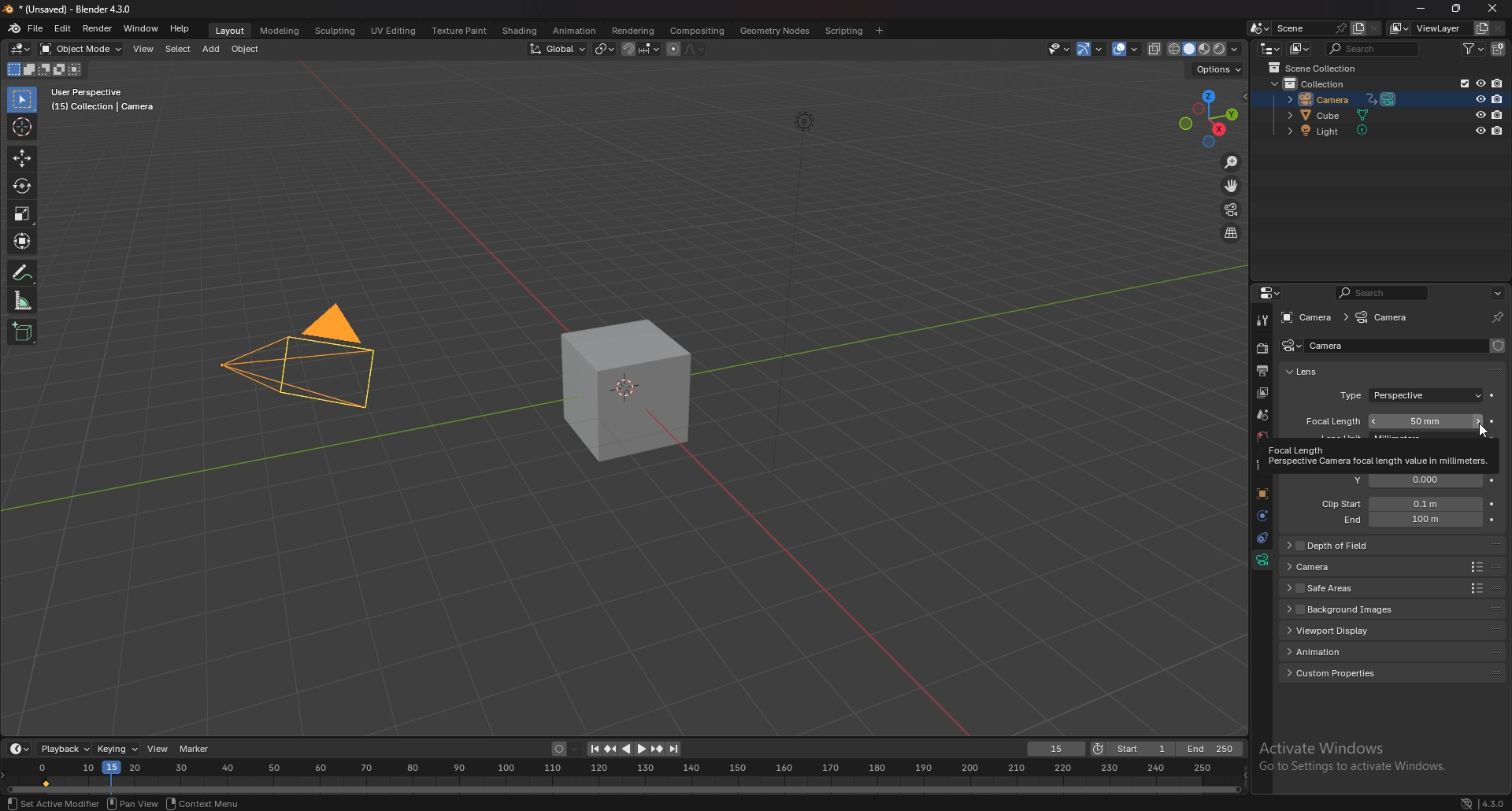 This screenshot has width=1512, height=811. What do you see at coordinates (246, 50) in the screenshot?
I see `object` at bounding box center [246, 50].